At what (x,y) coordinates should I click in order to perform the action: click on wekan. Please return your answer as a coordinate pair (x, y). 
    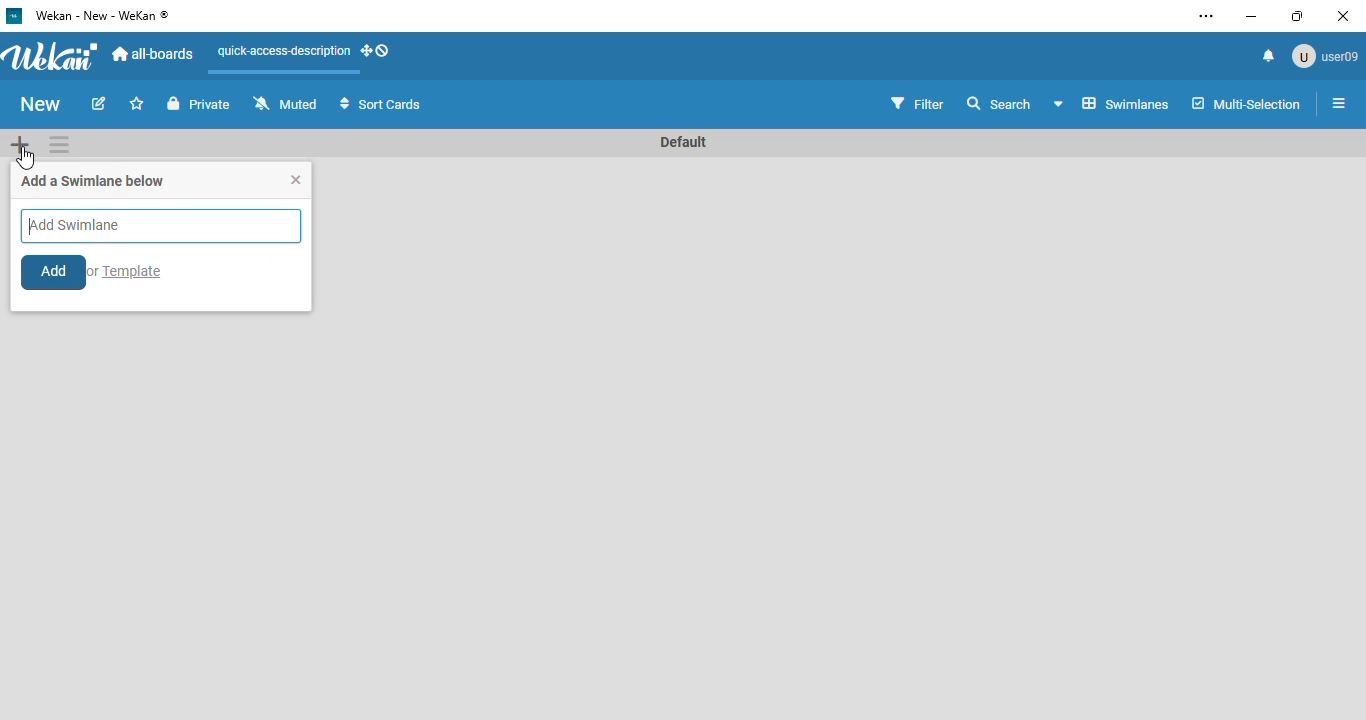
    Looking at the image, I should click on (53, 55).